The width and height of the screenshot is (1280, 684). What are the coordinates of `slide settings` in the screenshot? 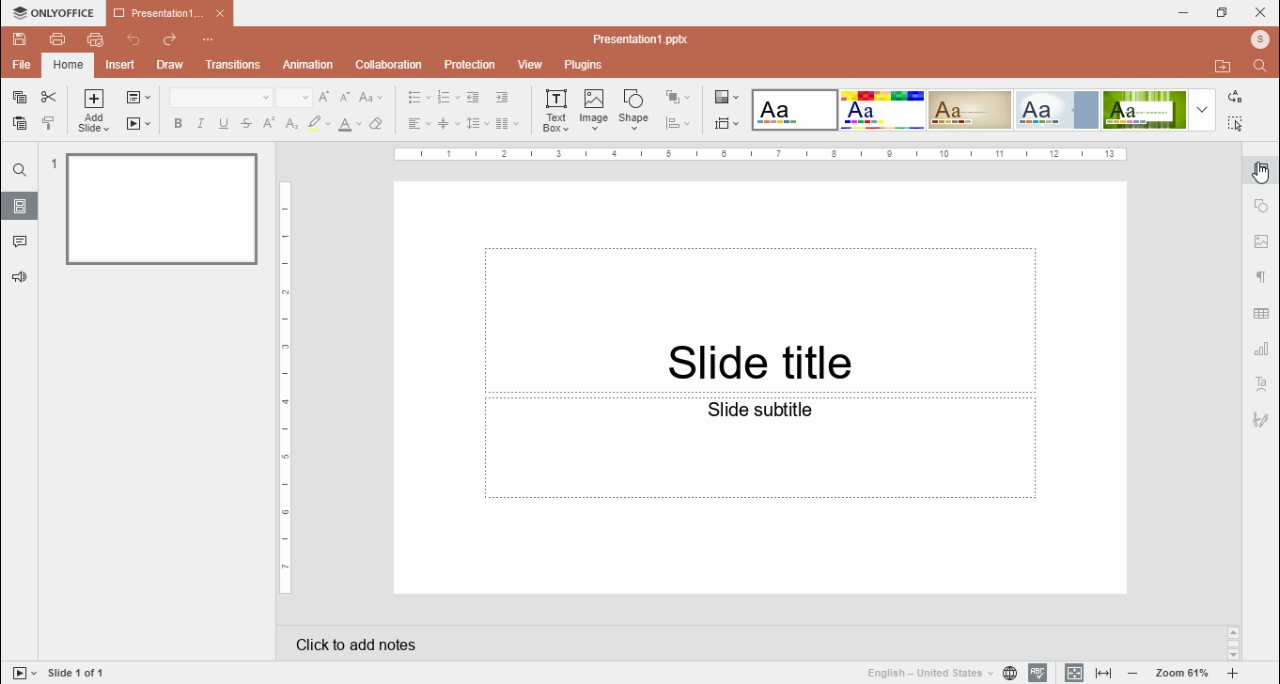 It's located at (1259, 172).